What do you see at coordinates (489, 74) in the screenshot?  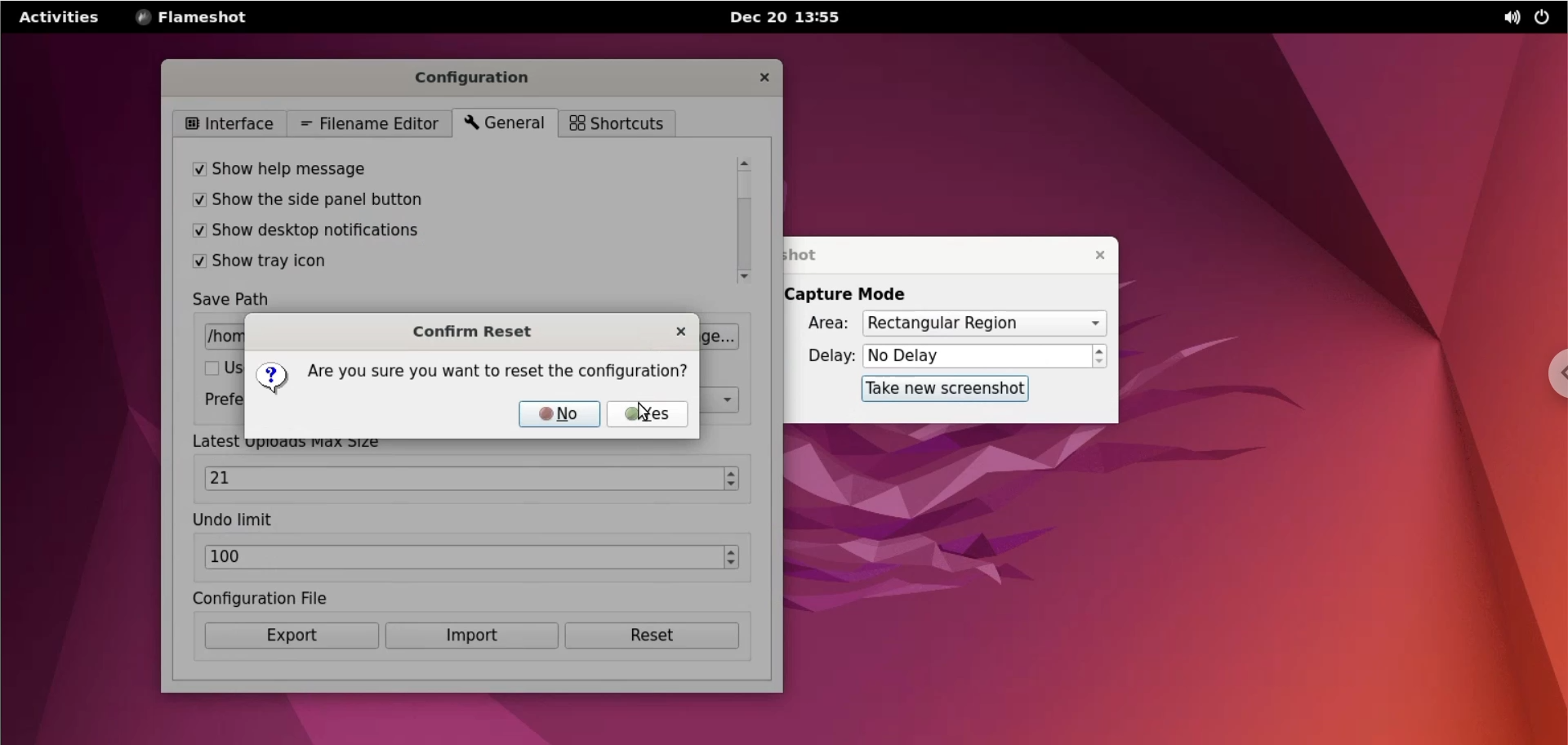 I see `configuration` at bounding box center [489, 74].